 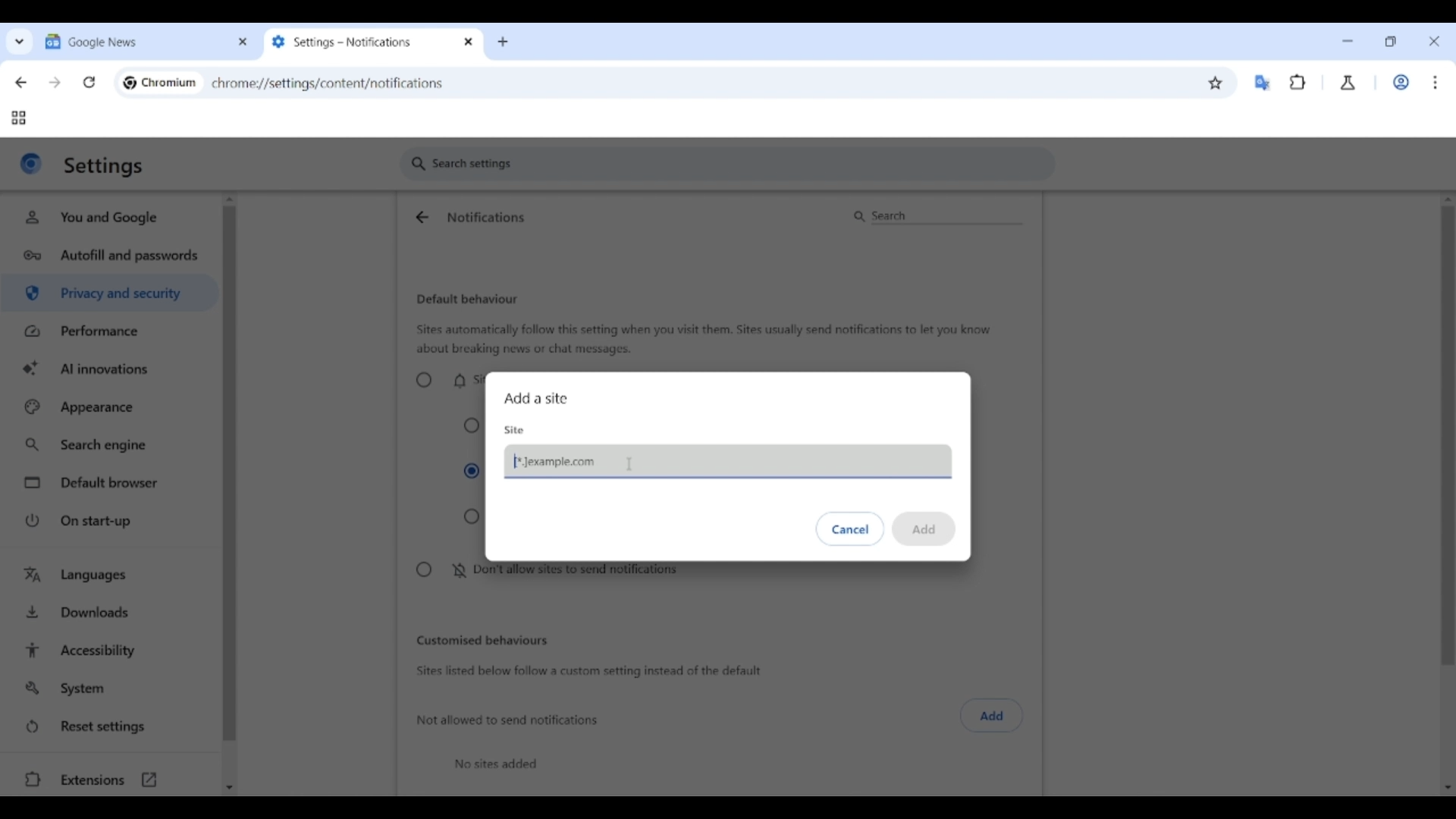 I want to click on System, so click(x=109, y=689).